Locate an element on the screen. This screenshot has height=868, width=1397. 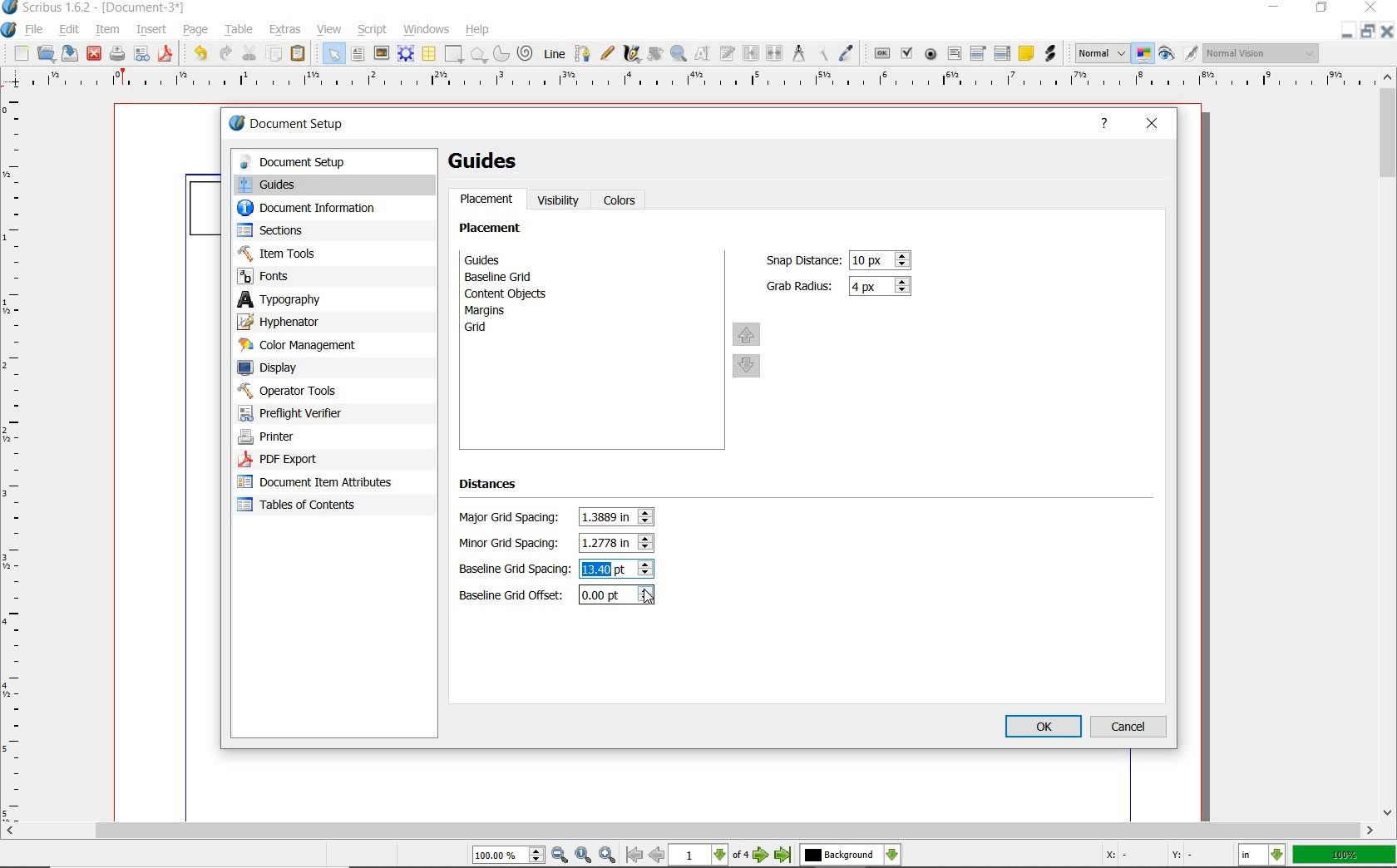
visibility is located at coordinates (559, 200).